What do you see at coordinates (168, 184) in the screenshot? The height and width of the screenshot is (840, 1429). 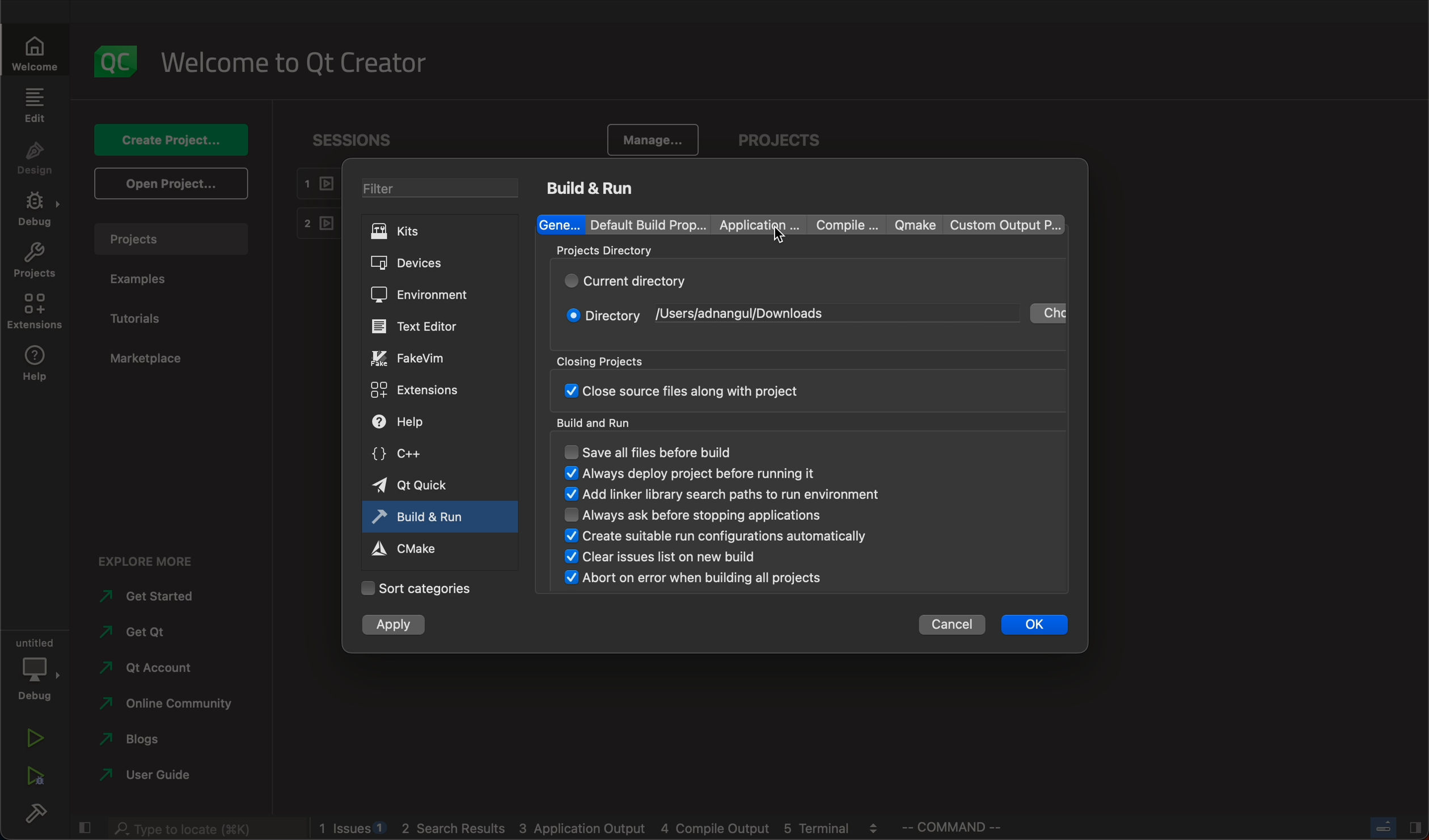 I see `open` at bounding box center [168, 184].